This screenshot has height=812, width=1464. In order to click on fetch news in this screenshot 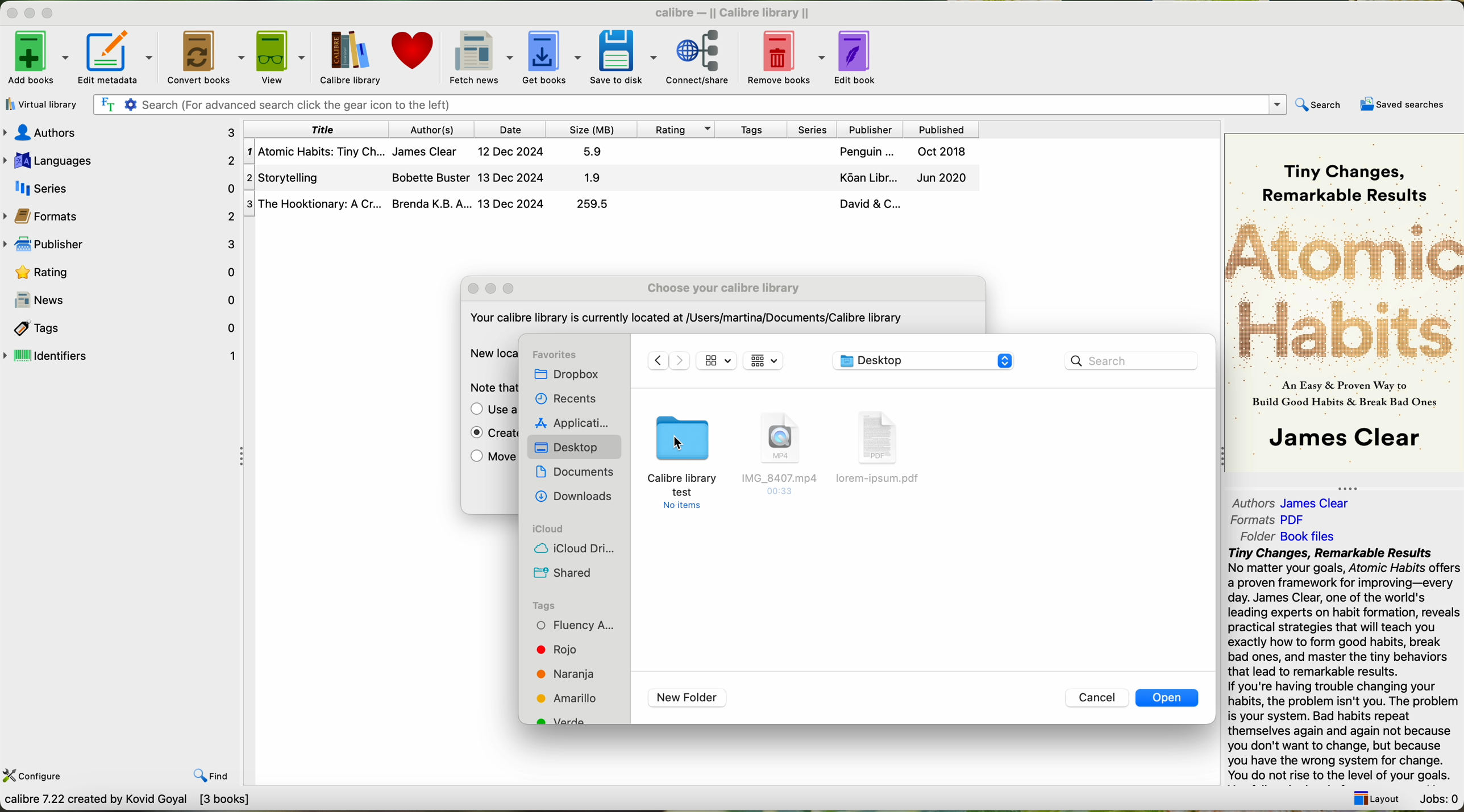, I will do `click(479, 56)`.